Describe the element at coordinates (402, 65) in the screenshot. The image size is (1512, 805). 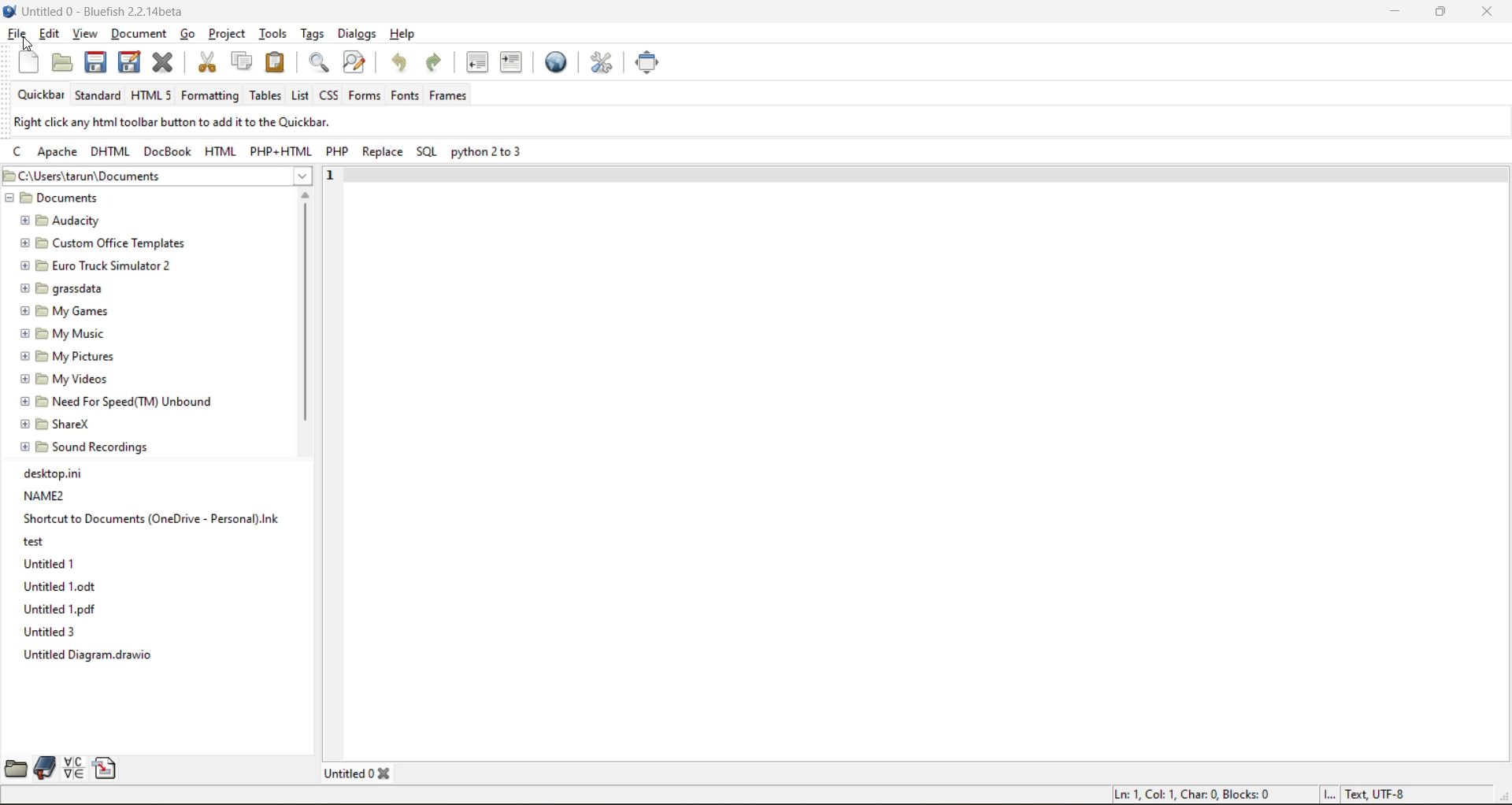
I see `undo` at that location.